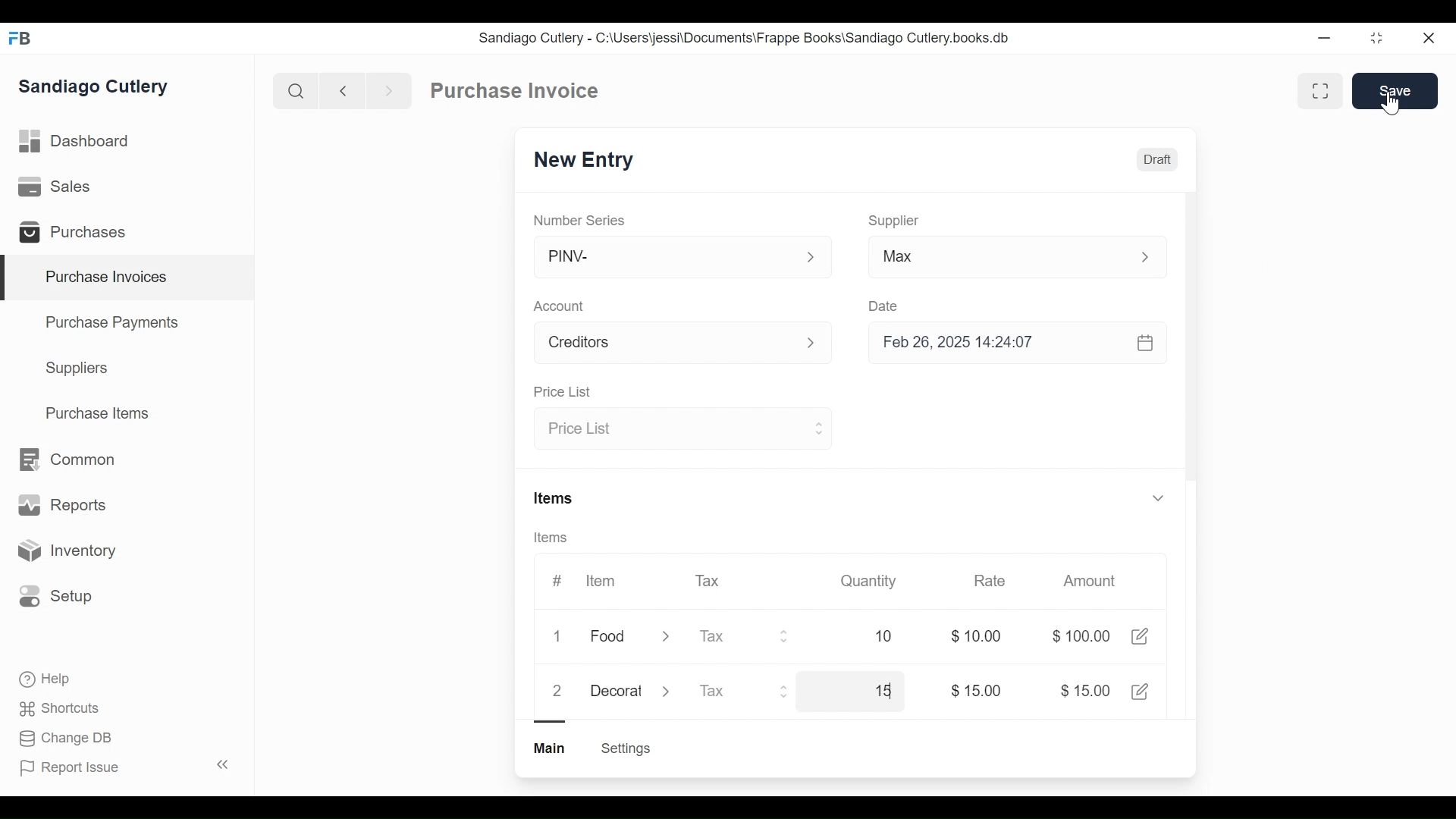 The width and height of the screenshot is (1456, 819). What do you see at coordinates (65, 460) in the screenshot?
I see `Common` at bounding box center [65, 460].